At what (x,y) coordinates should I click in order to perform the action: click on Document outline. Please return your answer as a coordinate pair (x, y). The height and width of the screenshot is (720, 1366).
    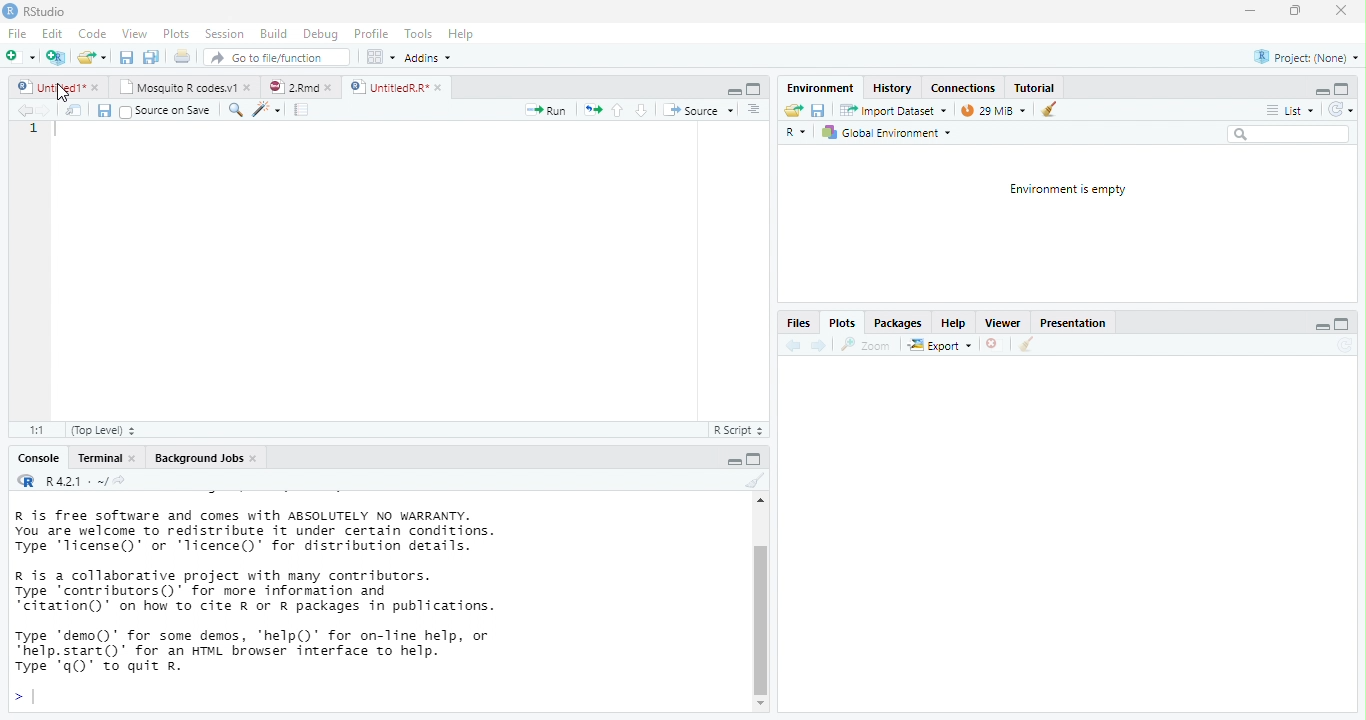
    Looking at the image, I should click on (755, 110).